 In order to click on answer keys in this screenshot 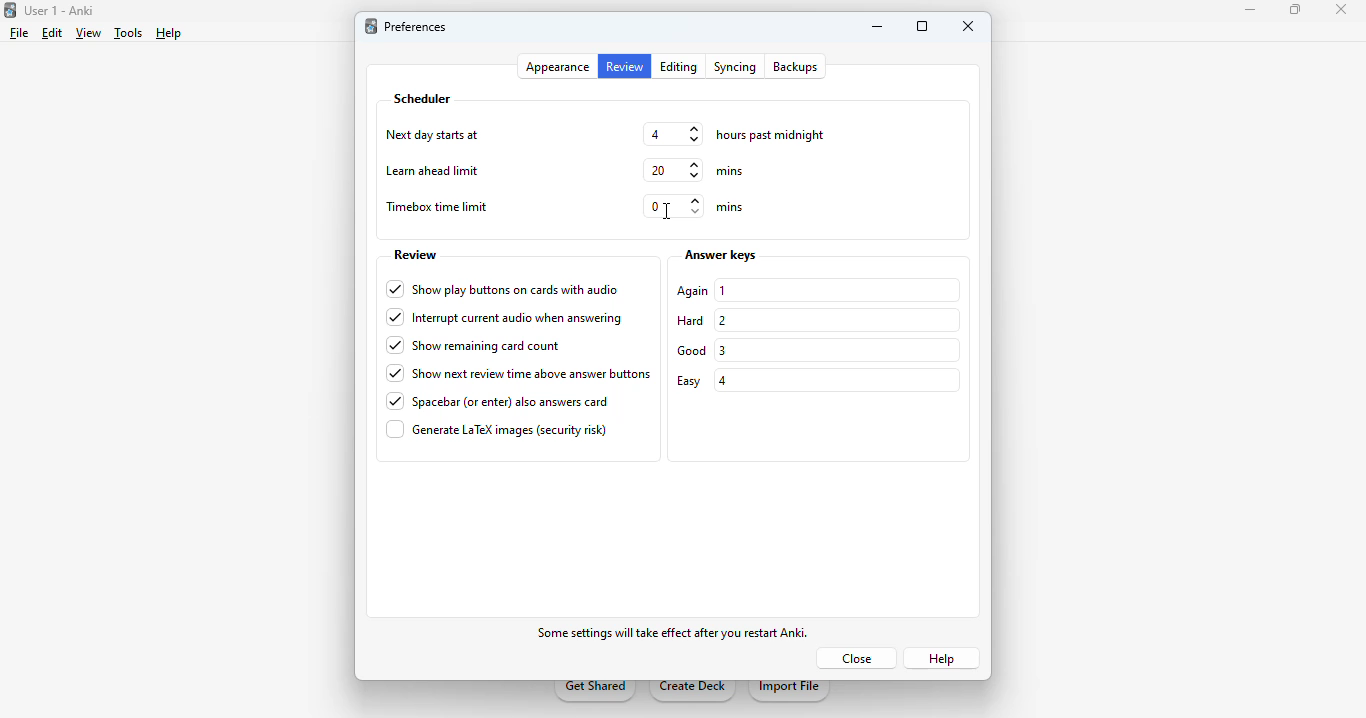, I will do `click(720, 255)`.